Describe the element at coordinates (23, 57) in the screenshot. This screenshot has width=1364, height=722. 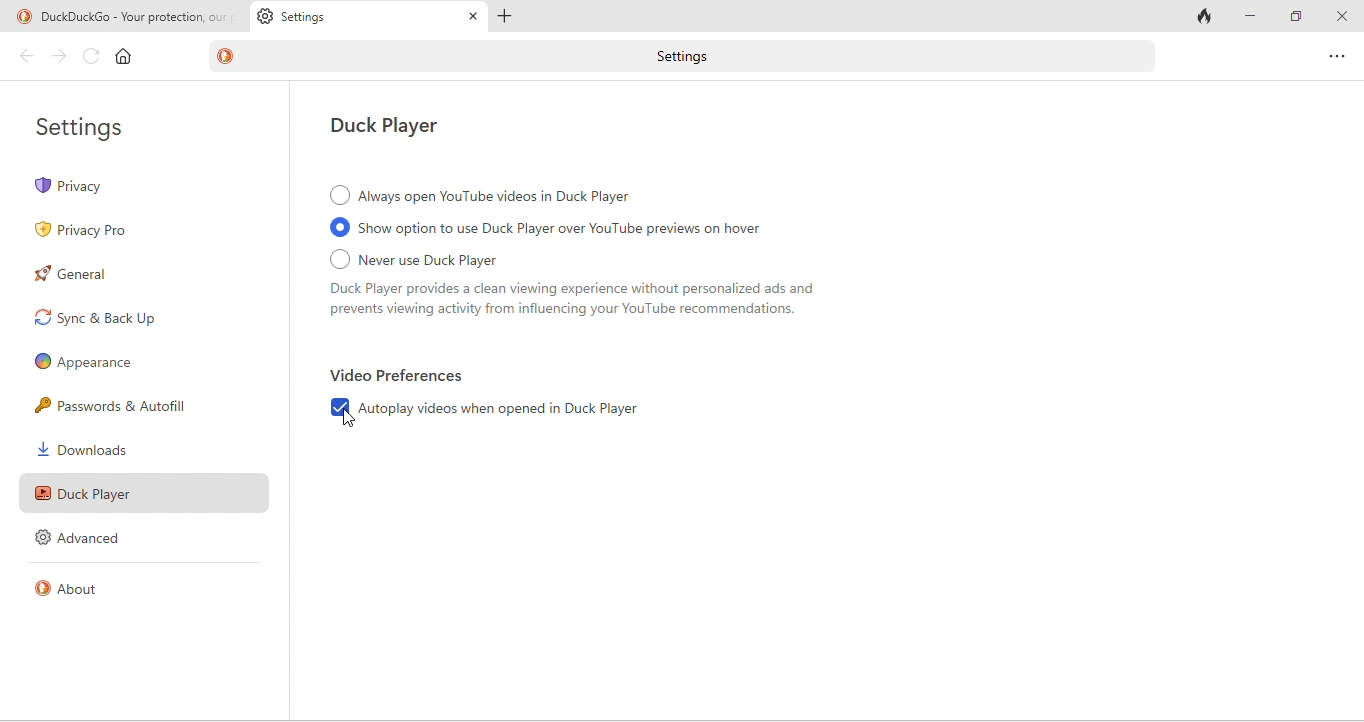
I see `back` at that location.